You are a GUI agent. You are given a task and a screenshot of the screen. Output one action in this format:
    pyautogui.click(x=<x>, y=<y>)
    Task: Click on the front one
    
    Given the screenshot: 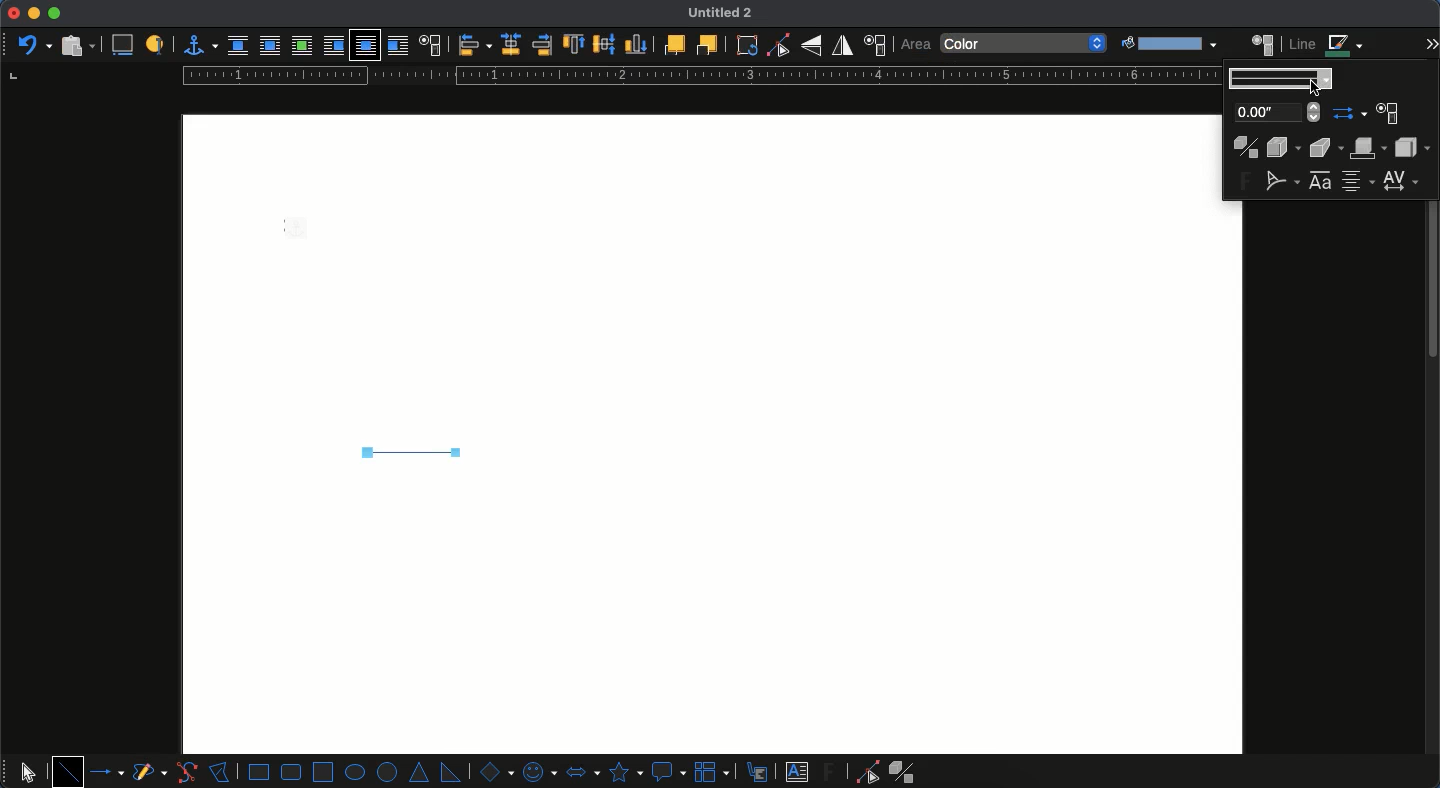 What is the action you would take?
    pyautogui.click(x=673, y=44)
    